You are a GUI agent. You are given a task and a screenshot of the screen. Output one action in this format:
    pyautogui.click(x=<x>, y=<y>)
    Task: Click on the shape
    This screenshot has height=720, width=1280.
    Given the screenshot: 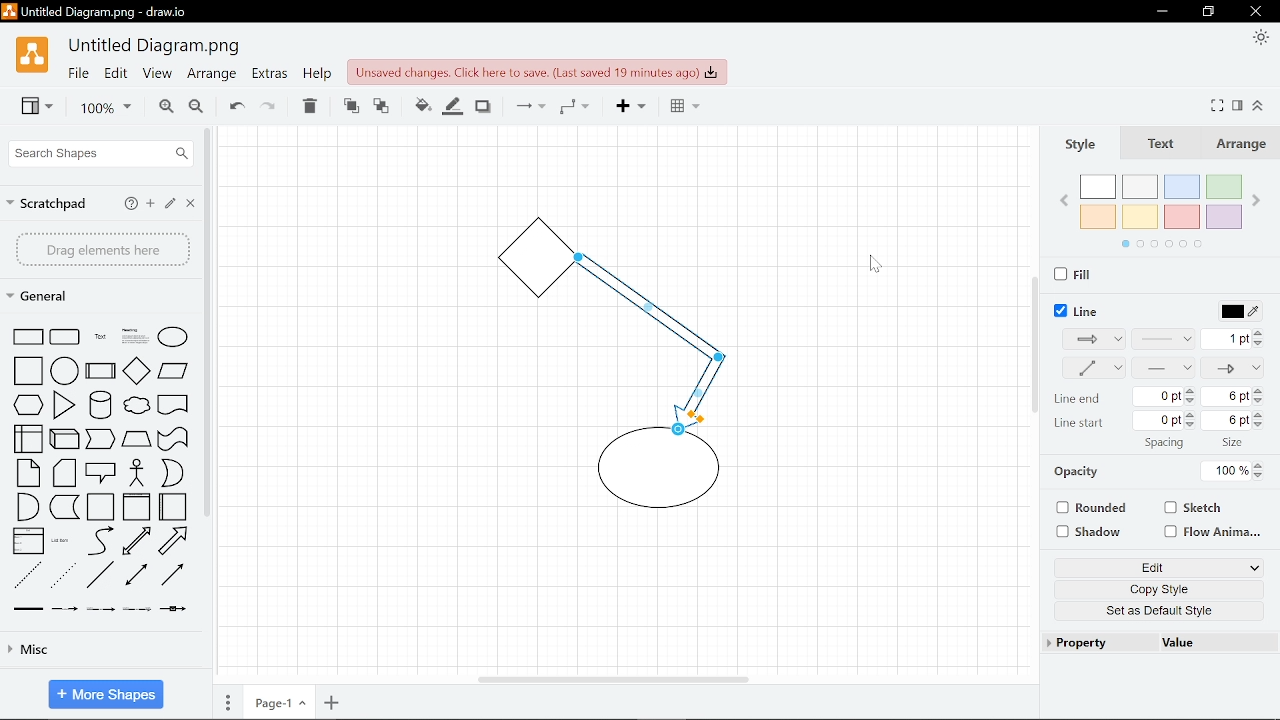 What is the action you would take?
    pyautogui.click(x=28, y=507)
    